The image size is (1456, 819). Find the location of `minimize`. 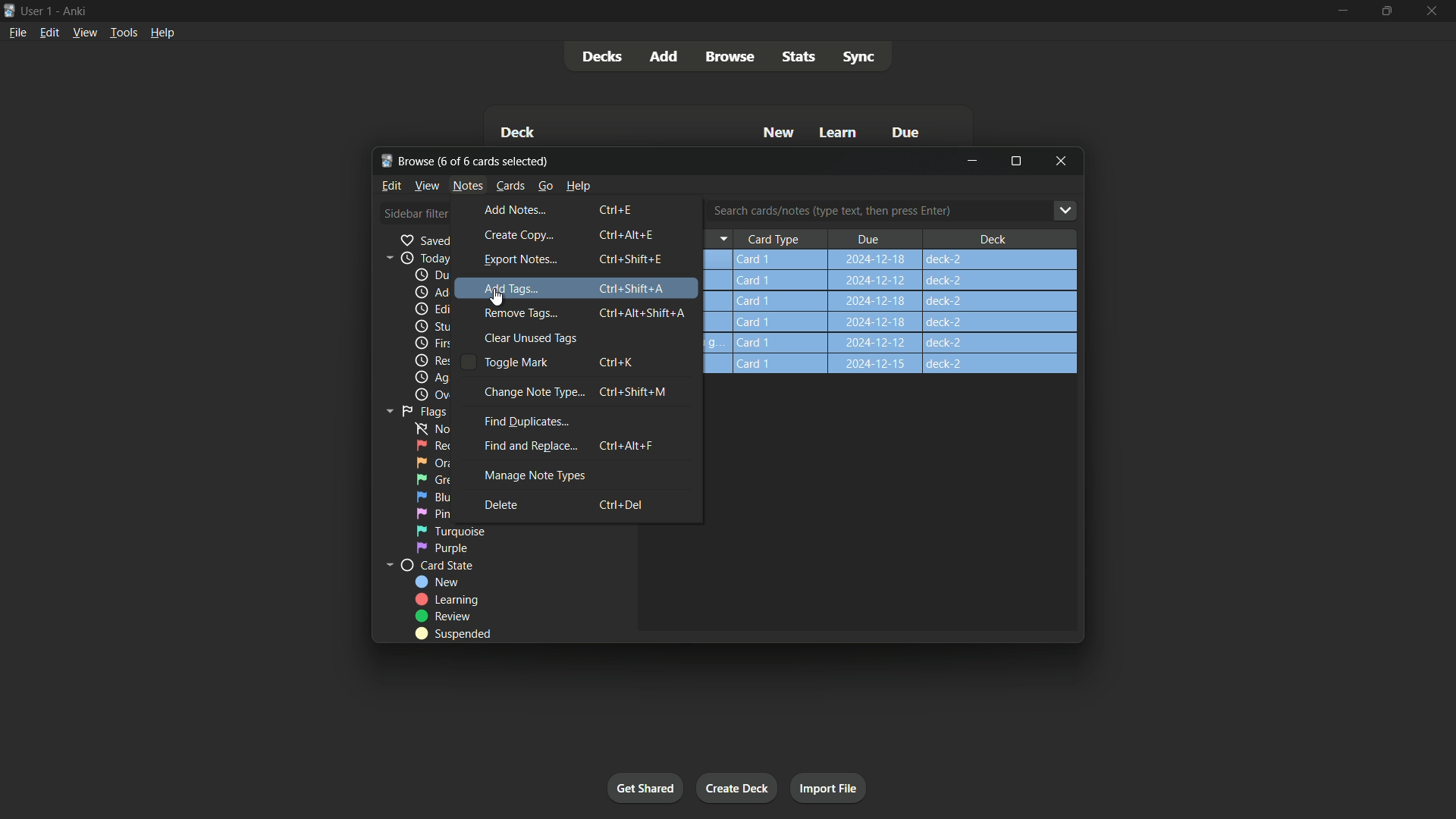

minimize is located at coordinates (973, 162).